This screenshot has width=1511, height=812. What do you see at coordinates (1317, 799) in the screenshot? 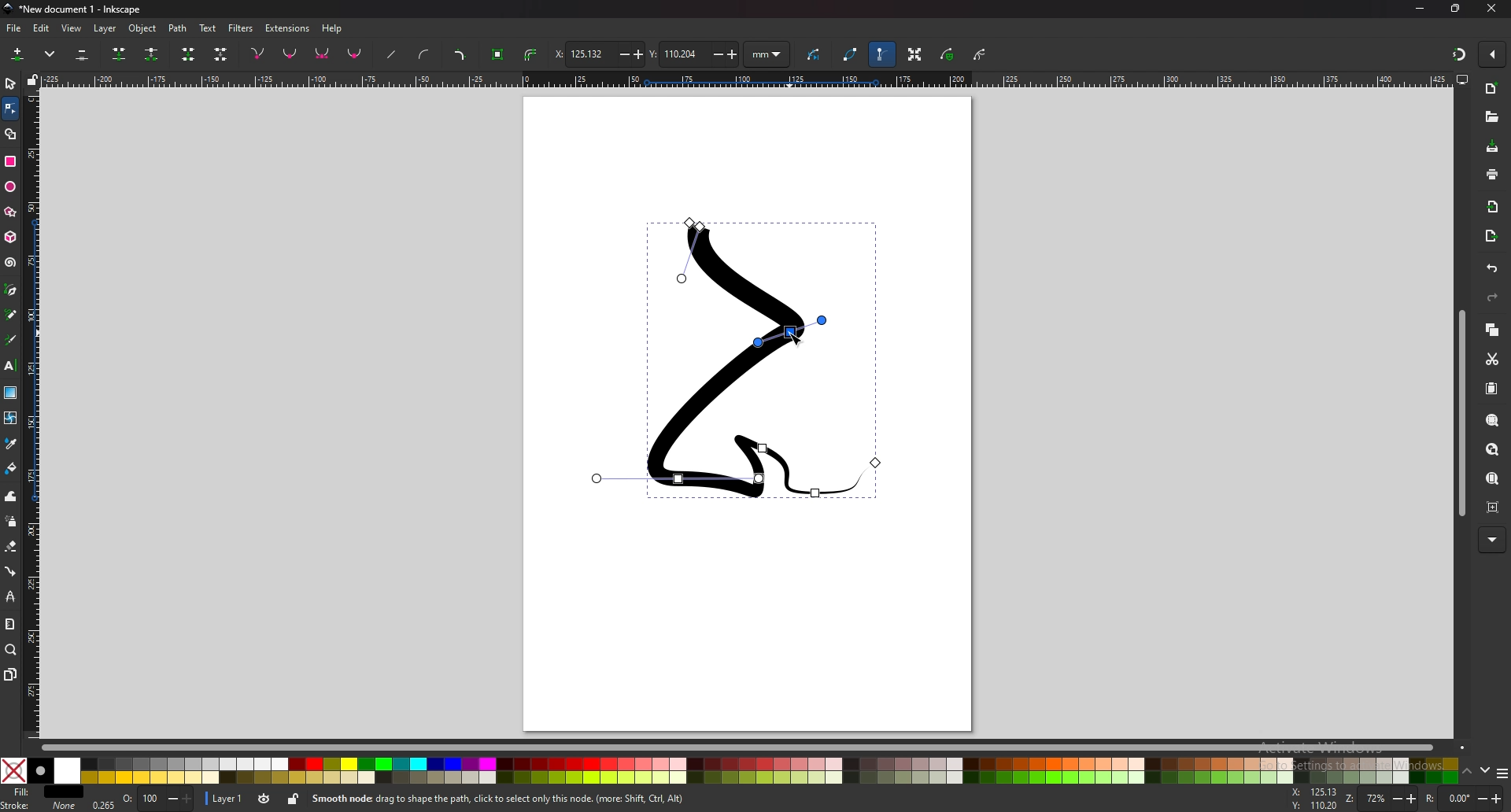
I see `cursor coordinates` at bounding box center [1317, 799].